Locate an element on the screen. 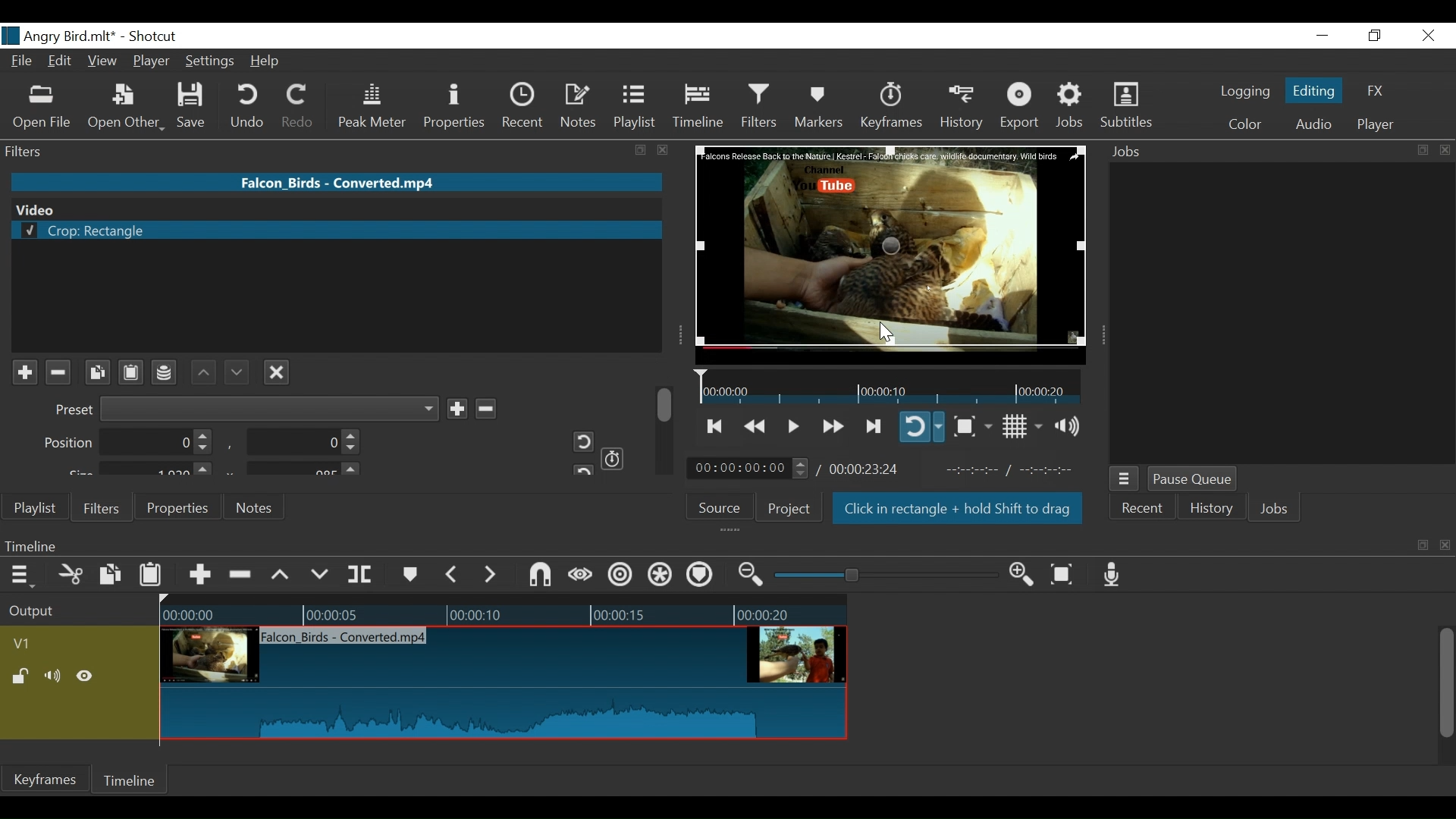 This screenshot has height=819, width=1456. Close is located at coordinates (277, 370).